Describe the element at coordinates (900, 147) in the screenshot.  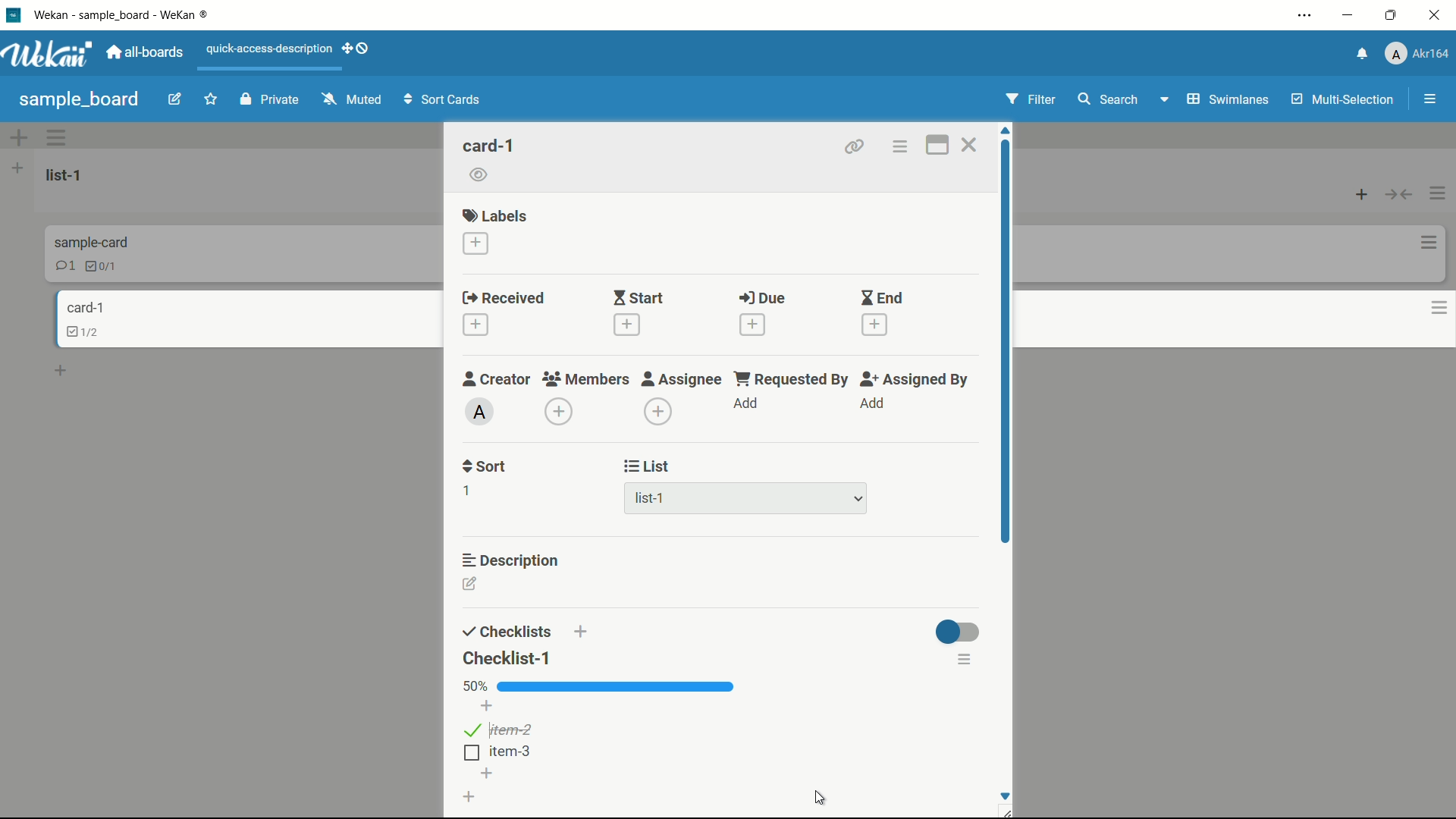
I see `card actions` at that location.